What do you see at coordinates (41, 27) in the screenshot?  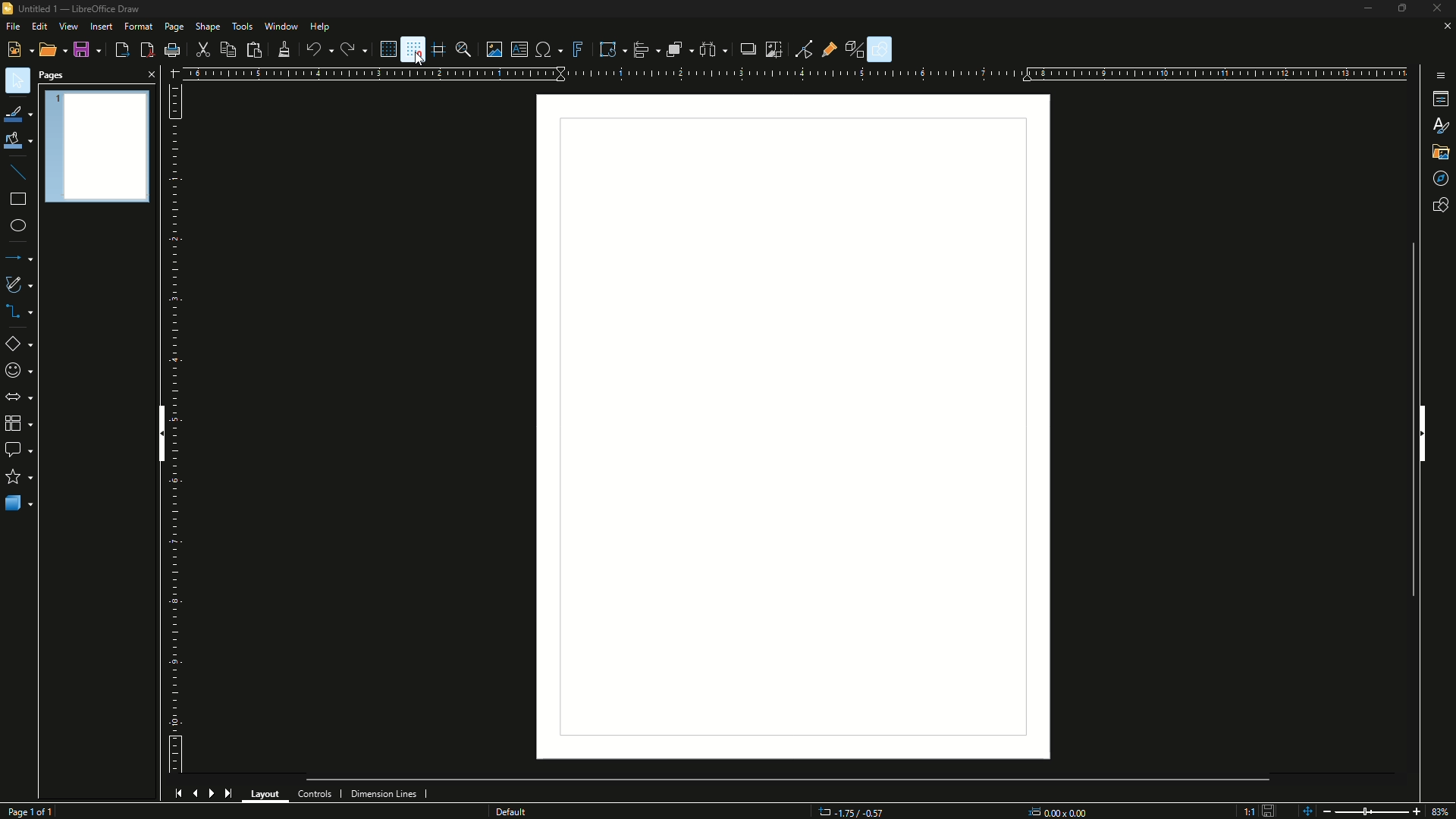 I see `Edit` at bounding box center [41, 27].